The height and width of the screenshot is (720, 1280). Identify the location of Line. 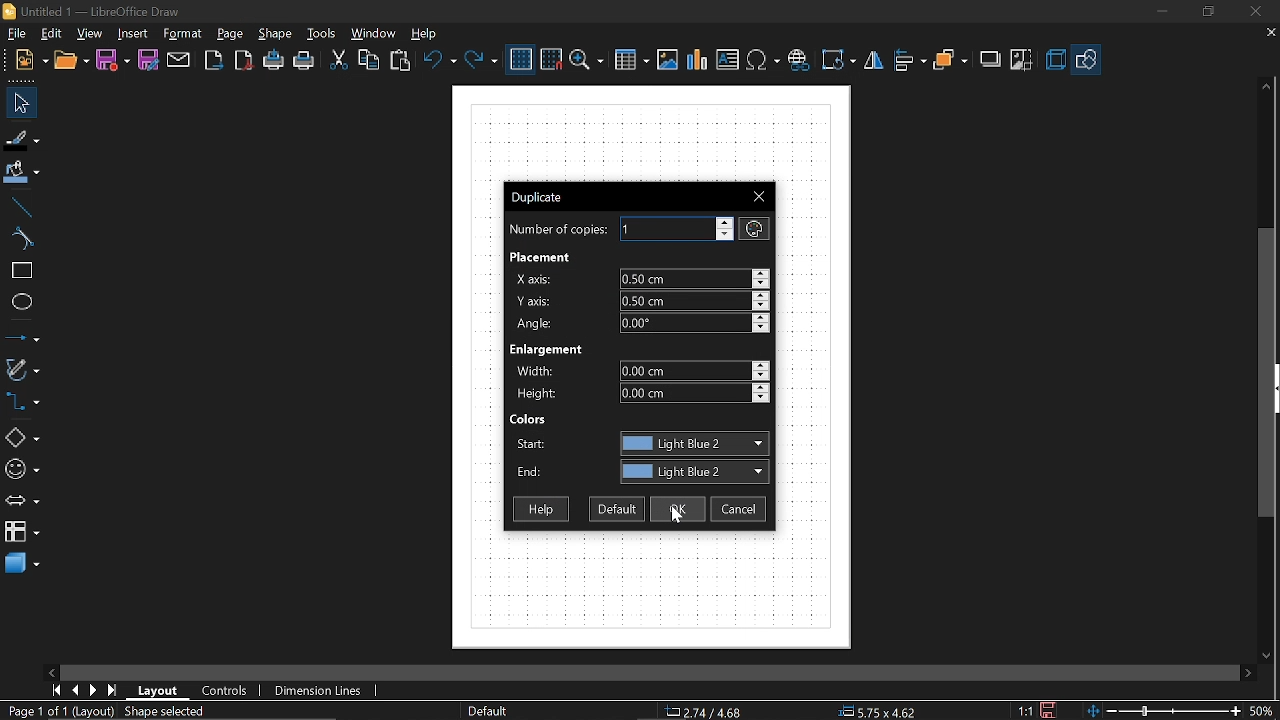
(18, 208).